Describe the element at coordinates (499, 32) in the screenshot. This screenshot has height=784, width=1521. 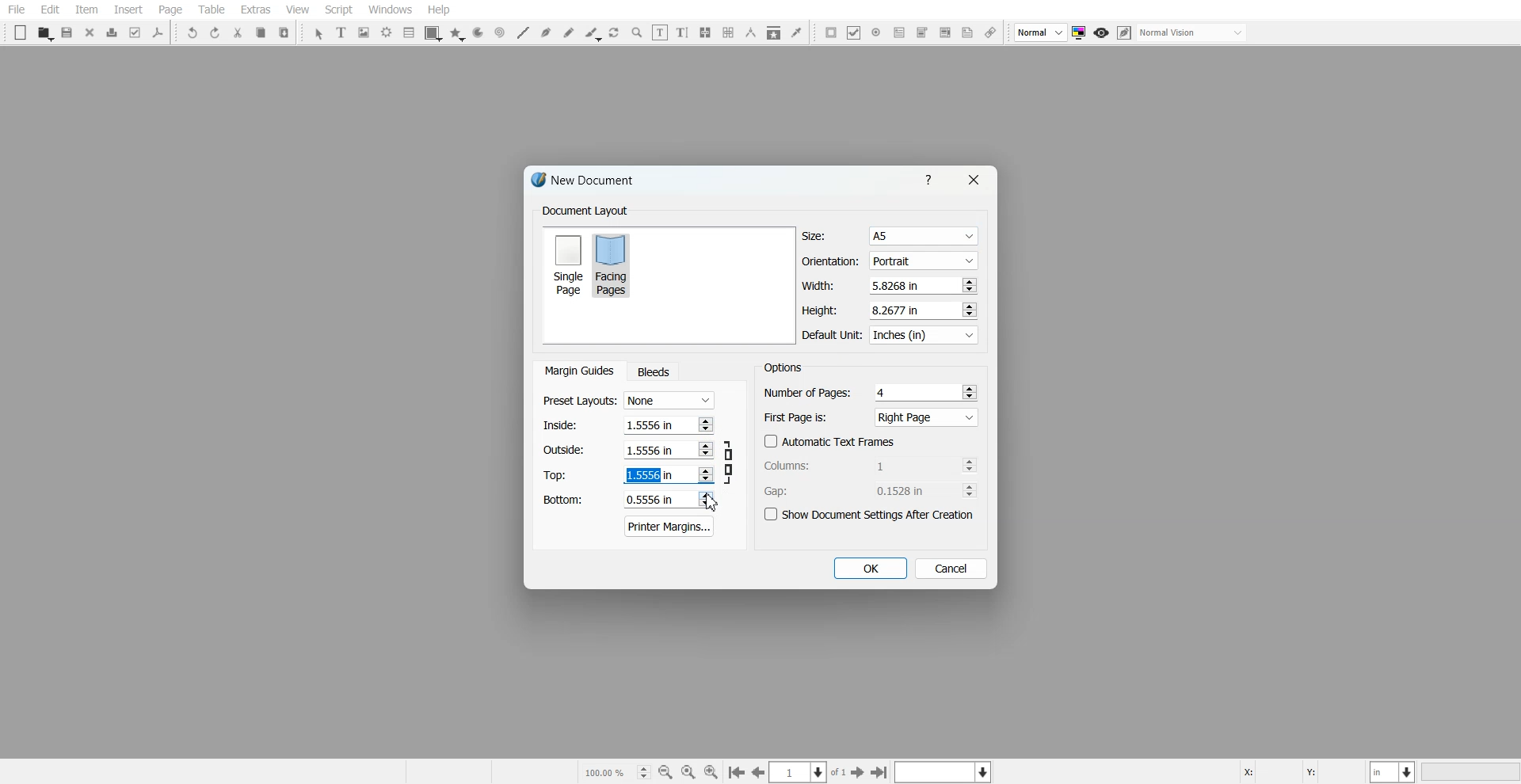
I see `Spiral` at that location.